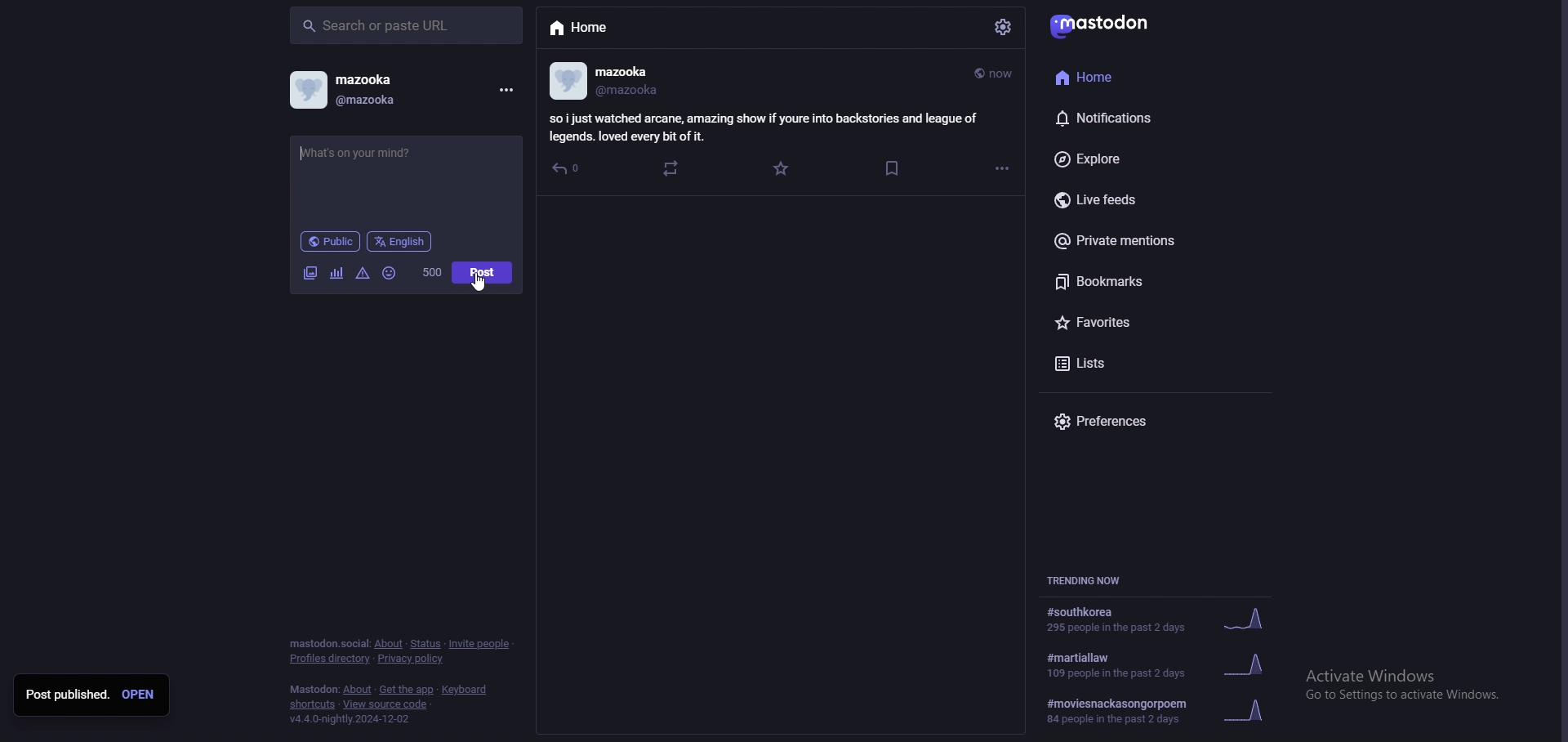 Image resolution: width=1568 pixels, height=742 pixels. Describe the element at coordinates (362, 274) in the screenshot. I see `warnings` at that location.